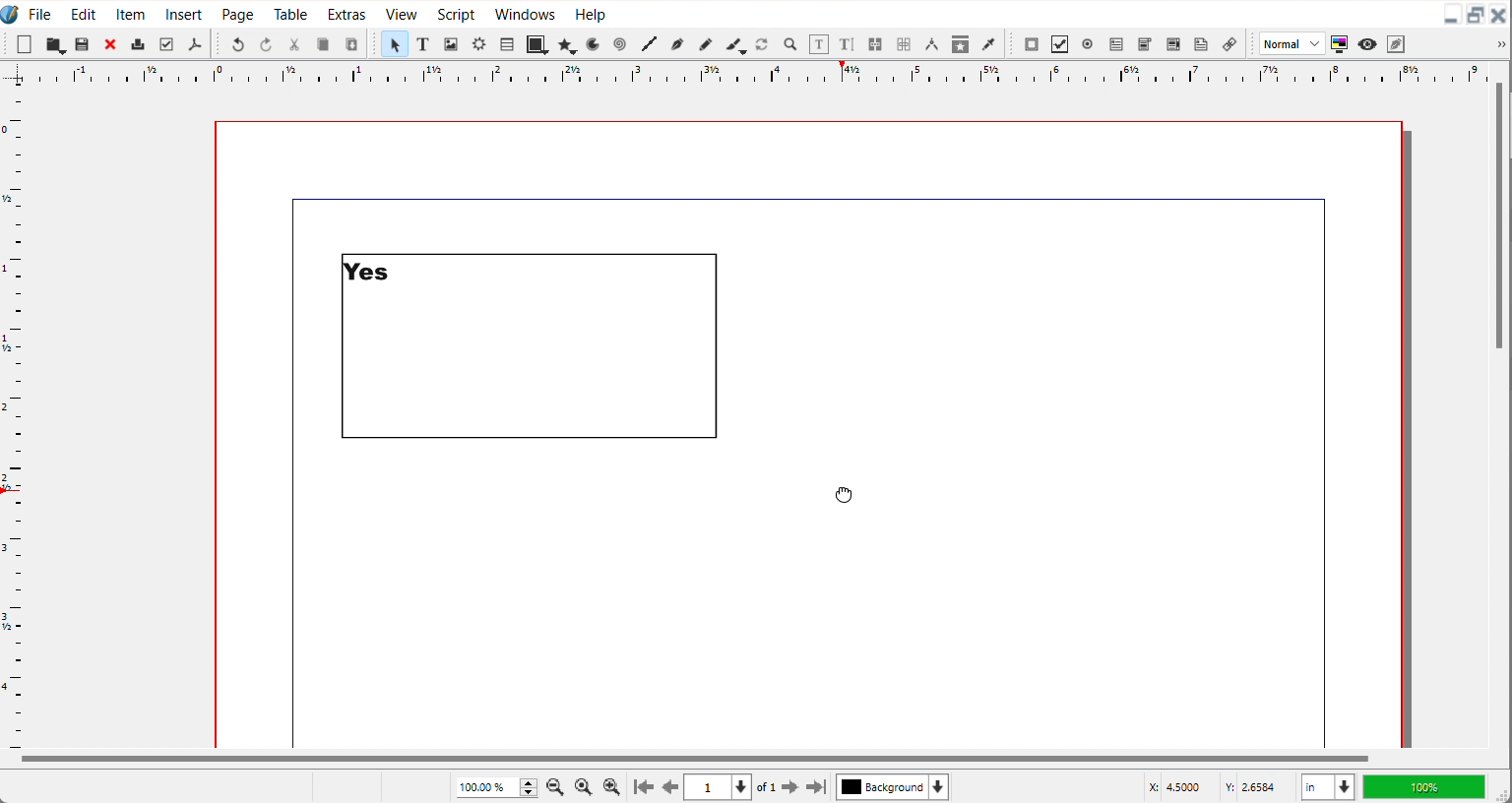  What do you see at coordinates (506, 43) in the screenshot?
I see `Table` at bounding box center [506, 43].